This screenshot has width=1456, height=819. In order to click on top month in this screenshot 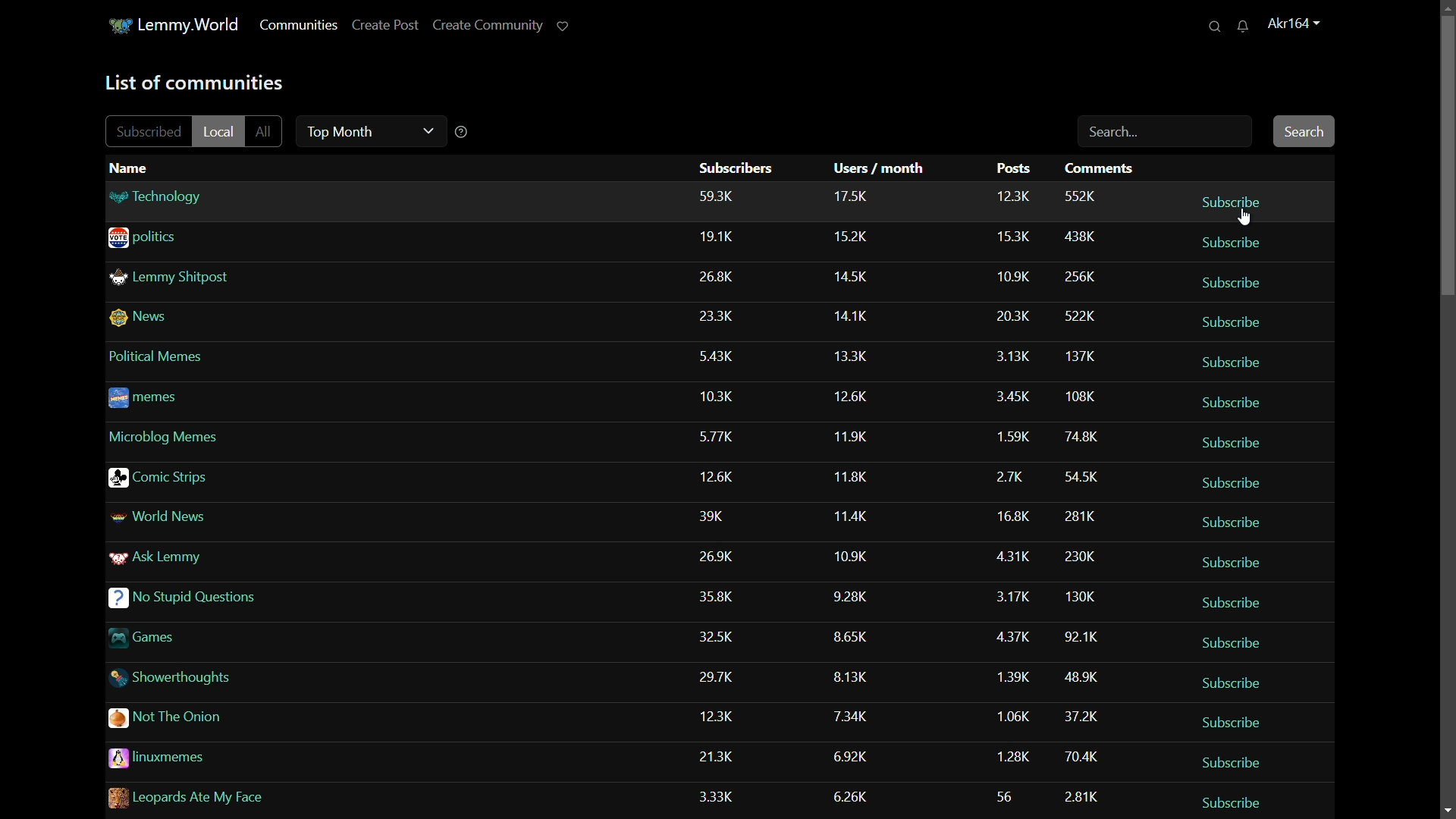, I will do `click(367, 130)`.